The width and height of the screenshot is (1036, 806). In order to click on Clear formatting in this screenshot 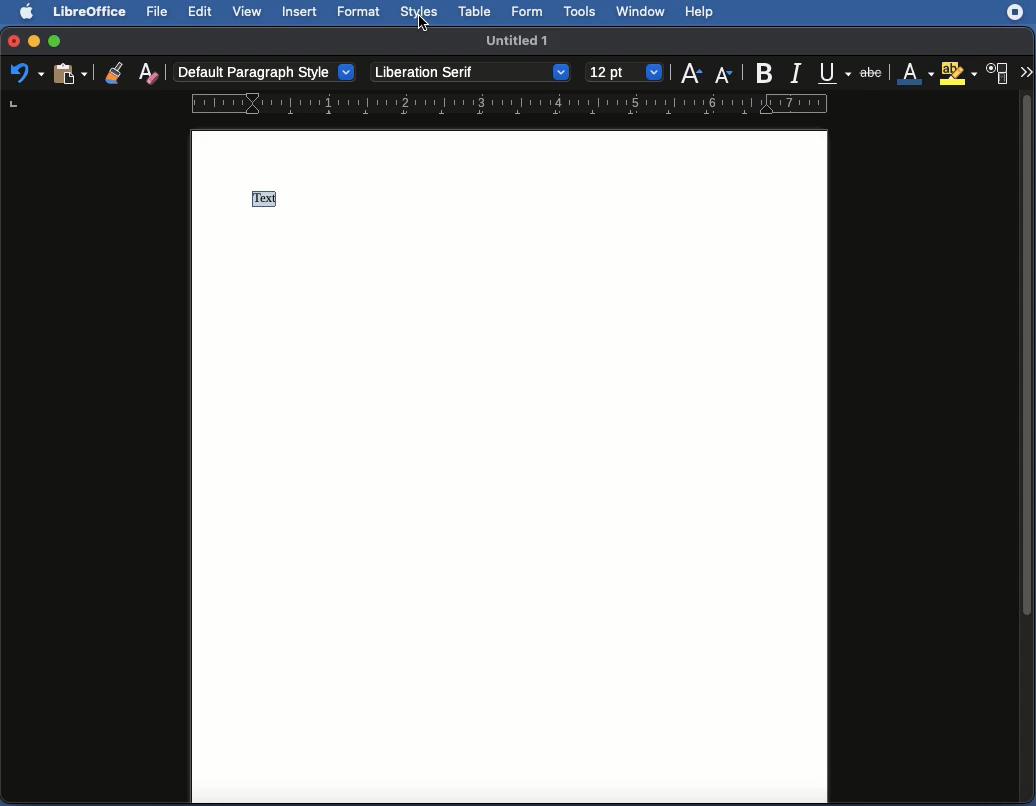, I will do `click(153, 72)`.